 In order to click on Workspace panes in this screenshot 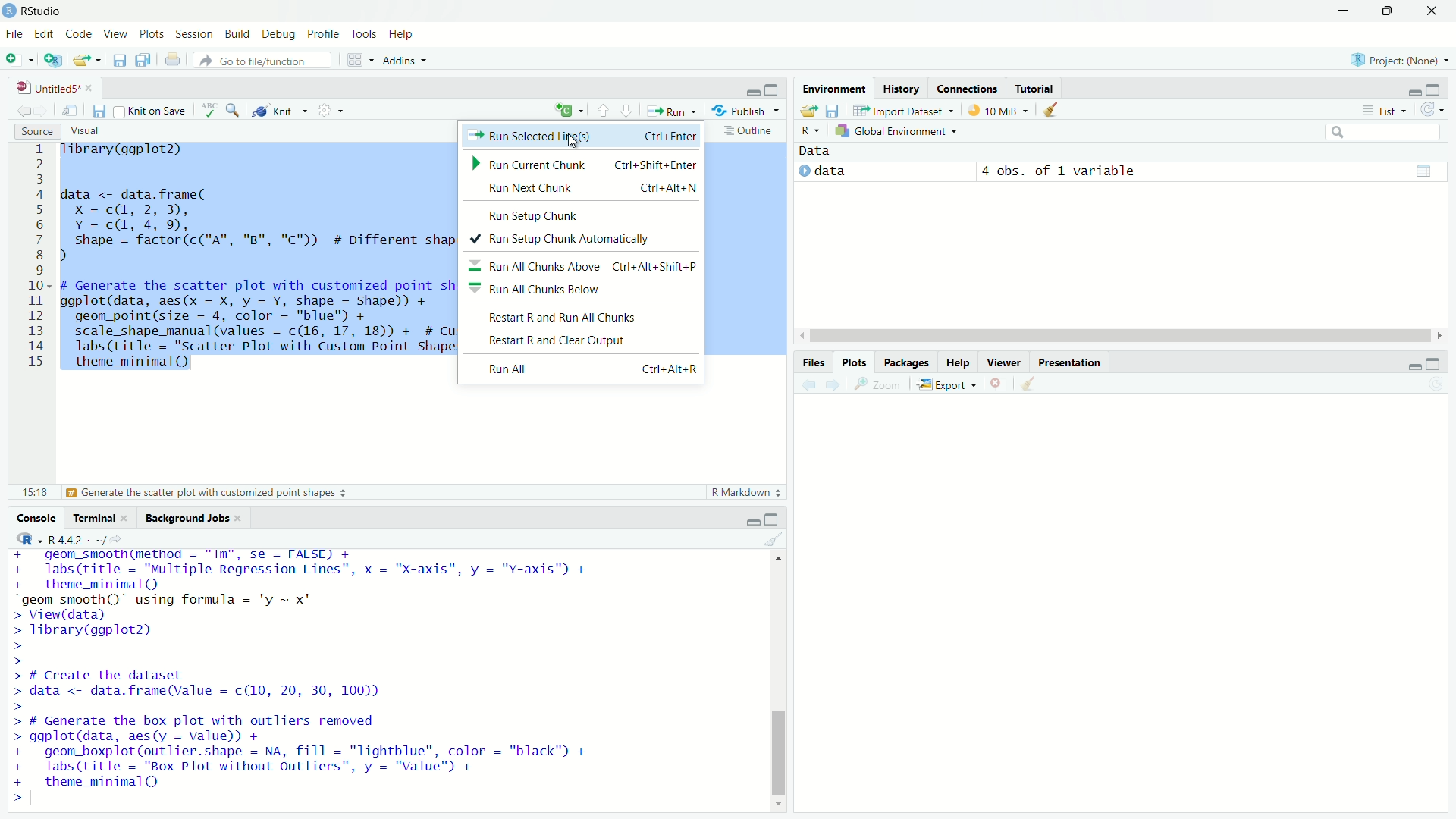, I will do `click(359, 60)`.